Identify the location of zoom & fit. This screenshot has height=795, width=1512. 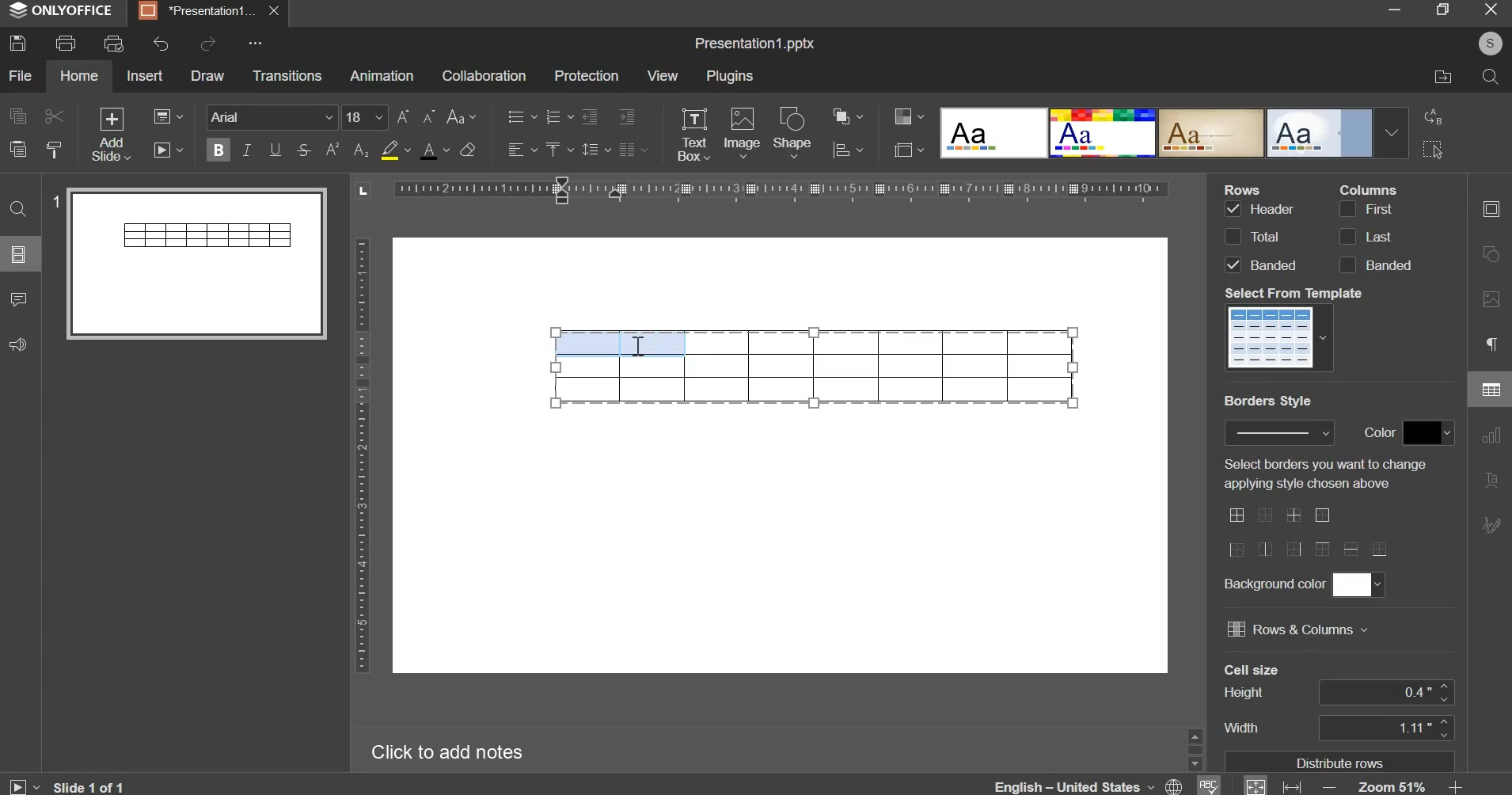
(1352, 785).